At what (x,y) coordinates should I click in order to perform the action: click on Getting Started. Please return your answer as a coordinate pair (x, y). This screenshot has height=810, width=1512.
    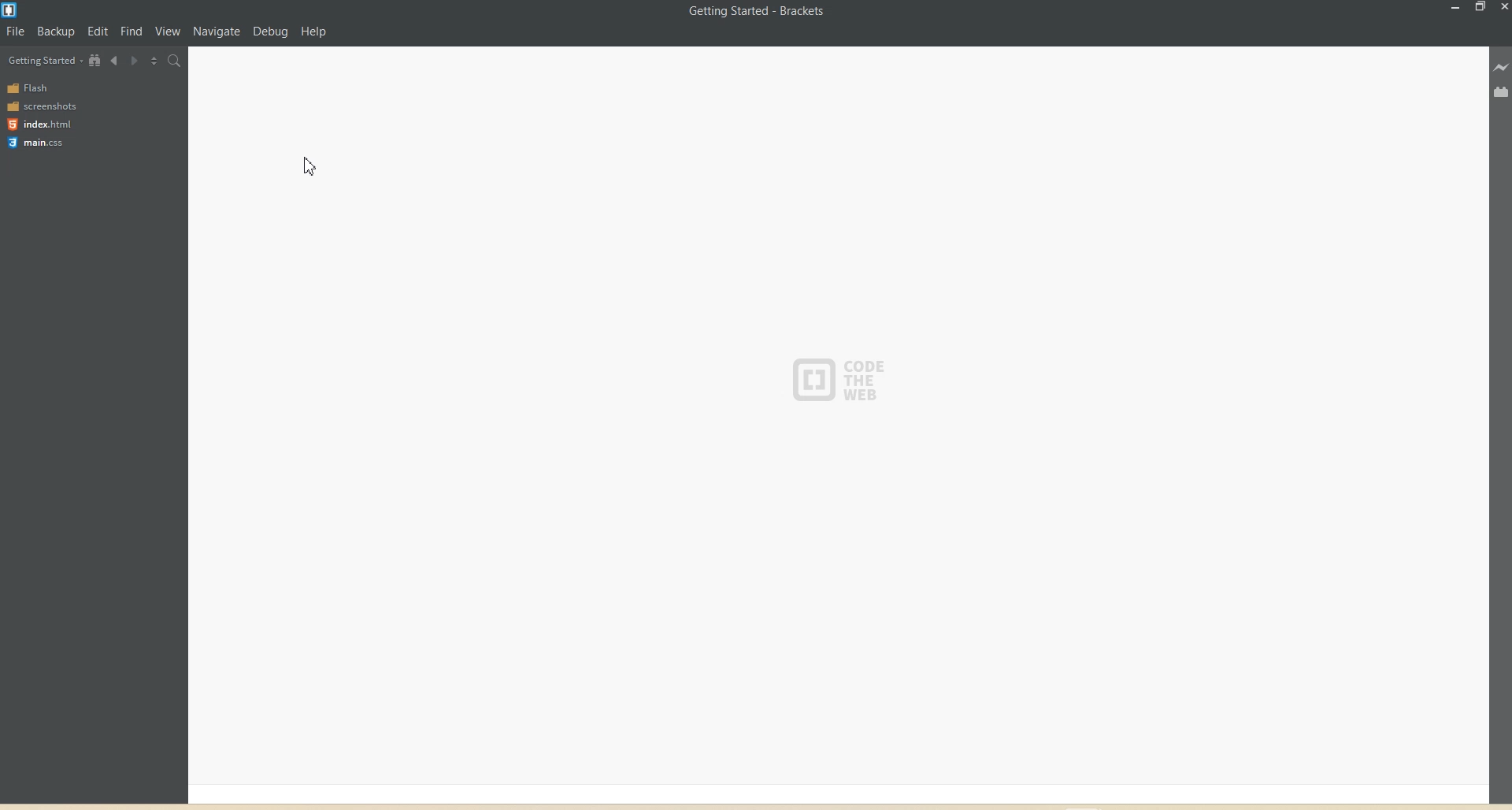
    Looking at the image, I should click on (45, 61).